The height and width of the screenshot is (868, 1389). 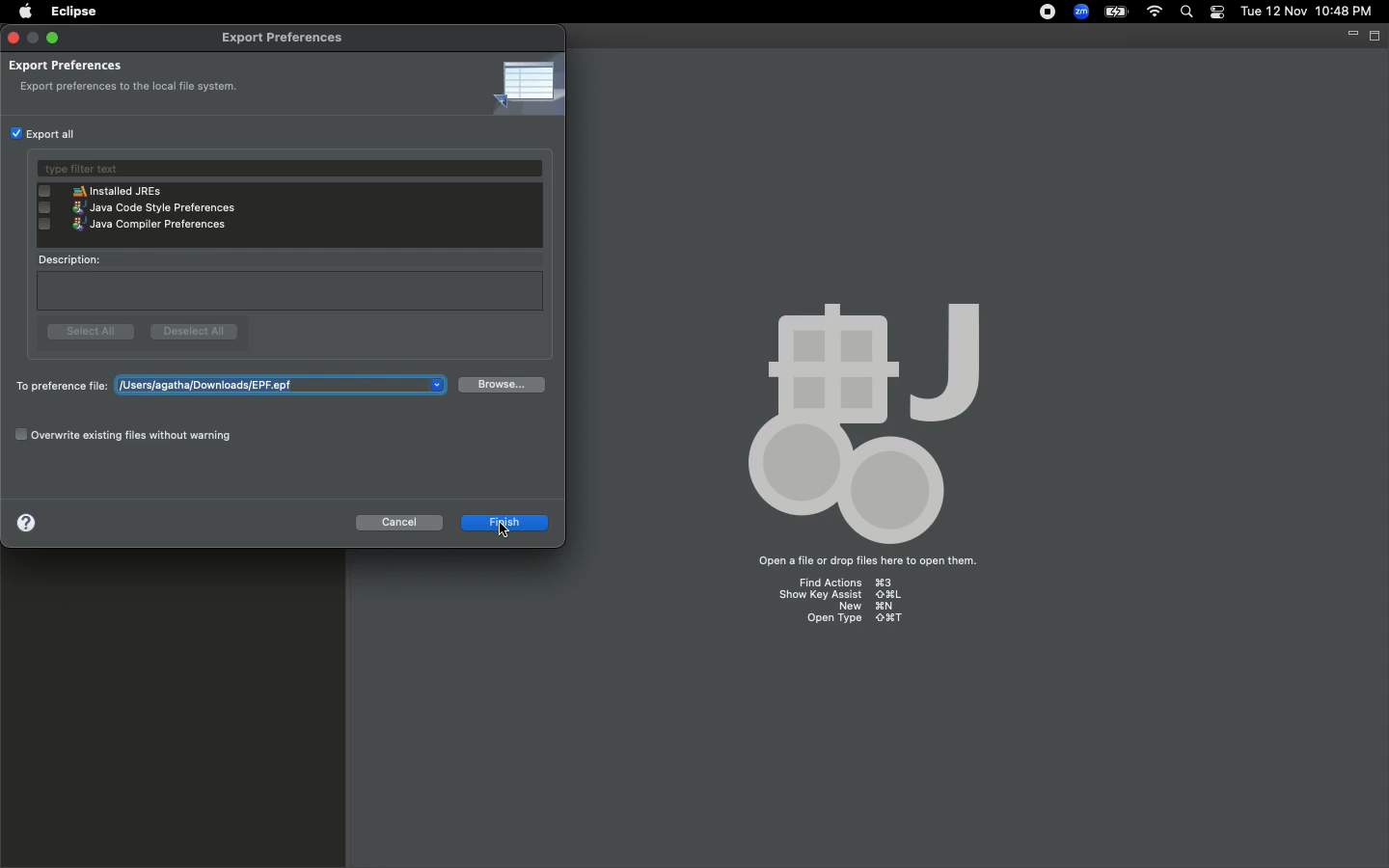 What do you see at coordinates (138, 225) in the screenshot?
I see `java compiler preferences` at bounding box center [138, 225].